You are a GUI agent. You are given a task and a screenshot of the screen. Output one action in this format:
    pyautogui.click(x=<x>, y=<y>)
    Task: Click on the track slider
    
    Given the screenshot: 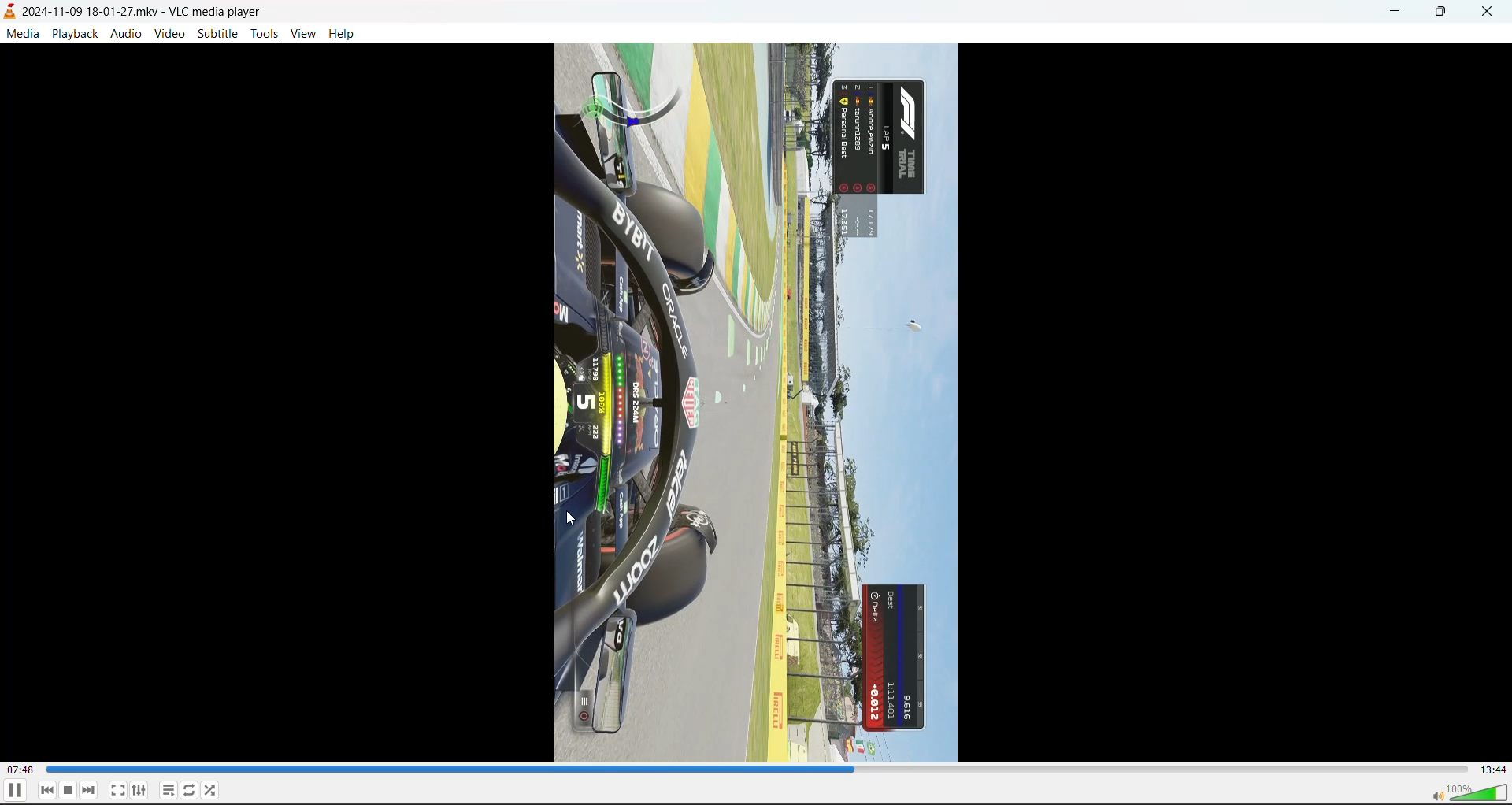 What is the action you would take?
    pyautogui.click(x=758, y=770)
    